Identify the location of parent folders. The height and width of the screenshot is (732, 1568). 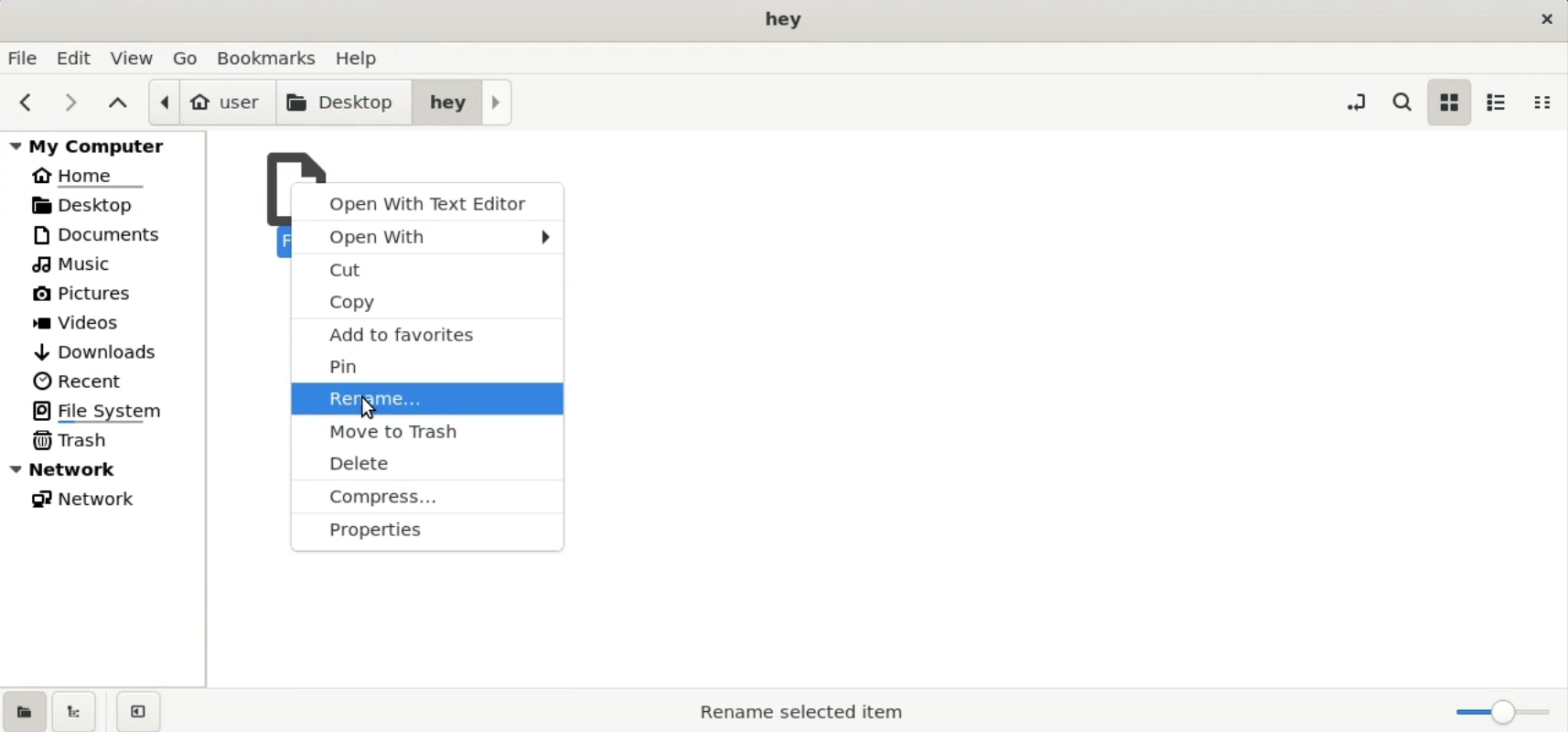
(117, 102).